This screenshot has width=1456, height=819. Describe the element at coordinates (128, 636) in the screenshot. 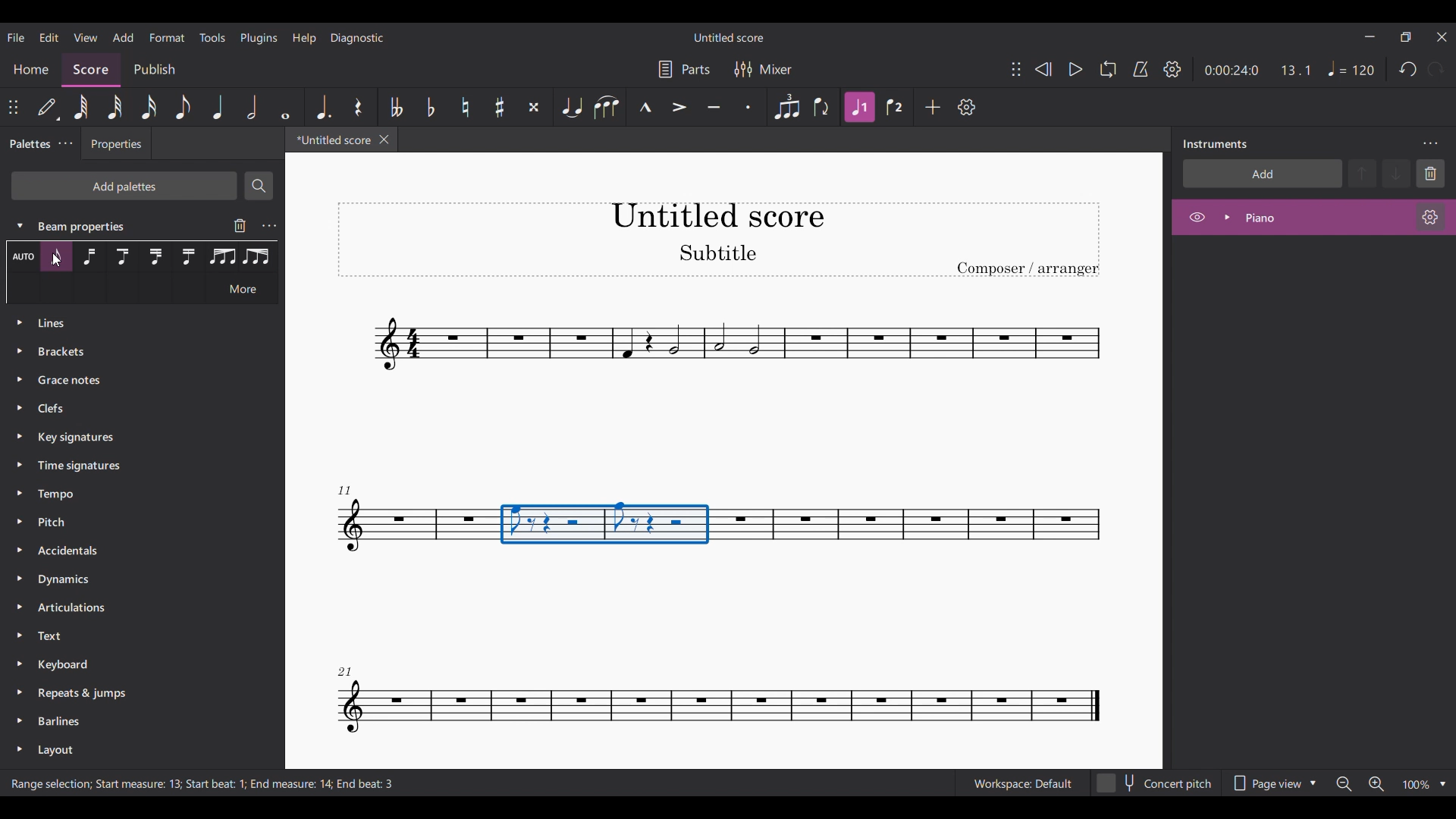

I see `Text` at that location.